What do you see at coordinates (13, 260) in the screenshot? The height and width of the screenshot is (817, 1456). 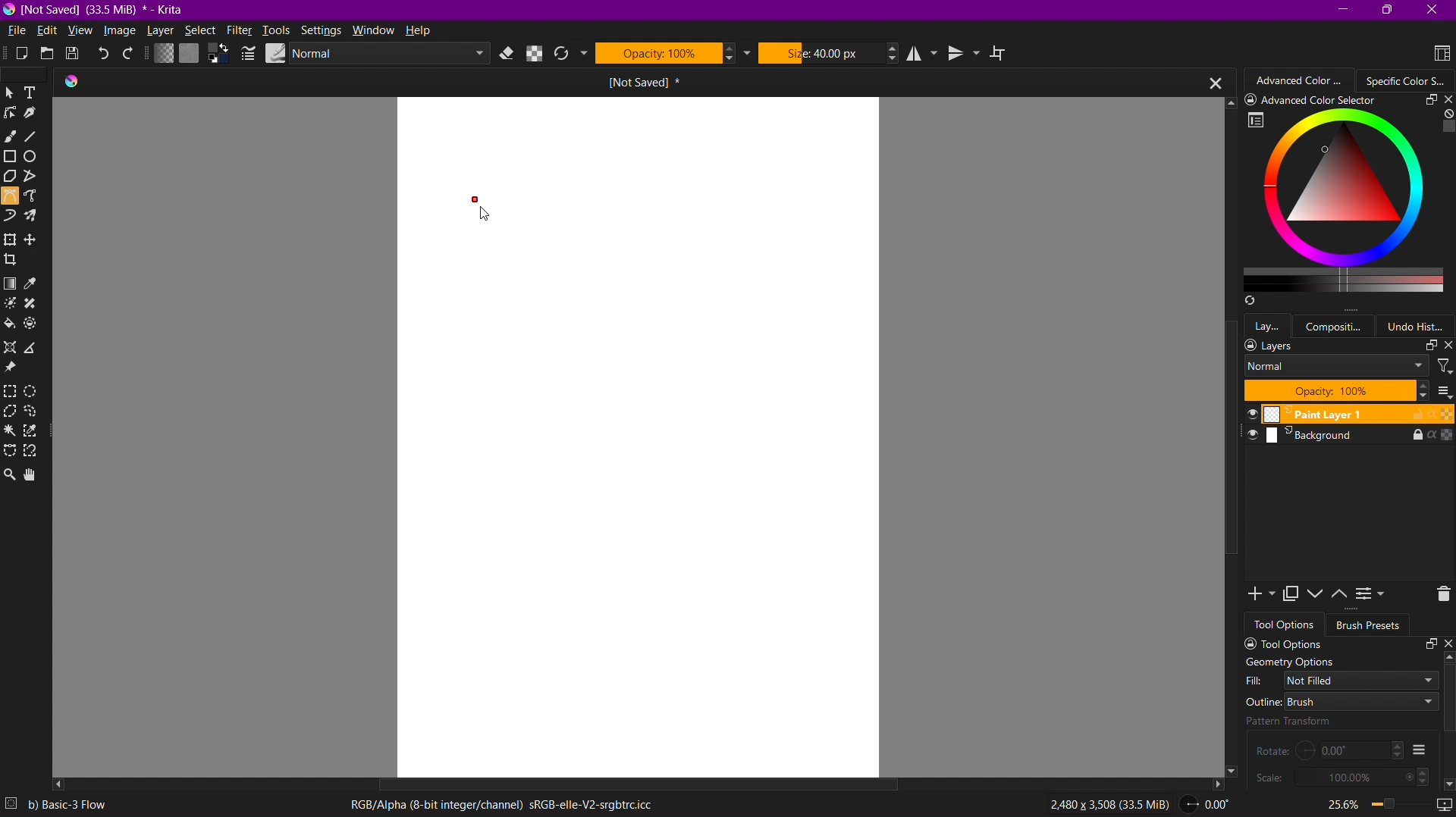 I see `Crop the image` at bounding box center [13, 260].